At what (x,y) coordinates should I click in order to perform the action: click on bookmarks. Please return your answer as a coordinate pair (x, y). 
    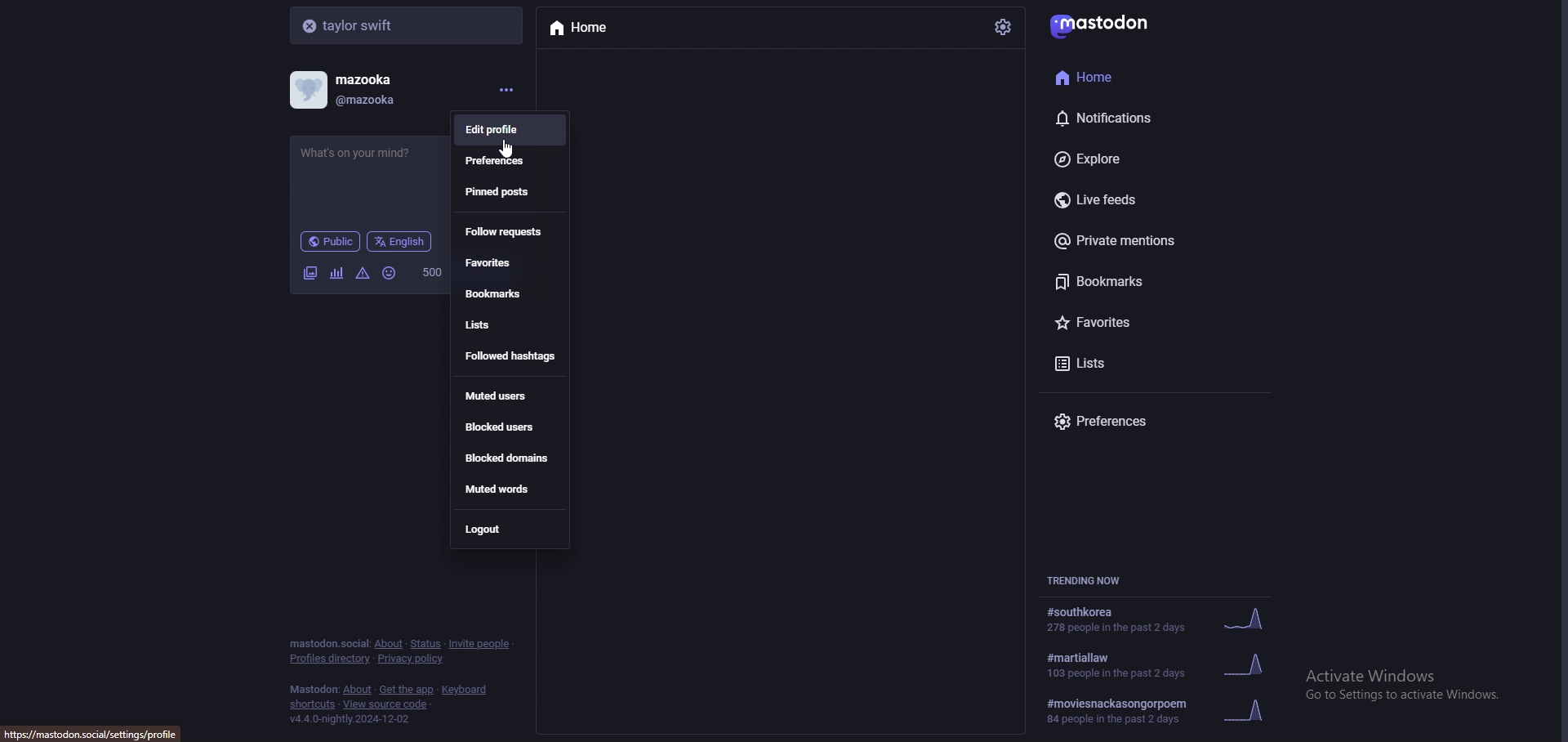
    Looking at the image, I should click on (1146, 279).